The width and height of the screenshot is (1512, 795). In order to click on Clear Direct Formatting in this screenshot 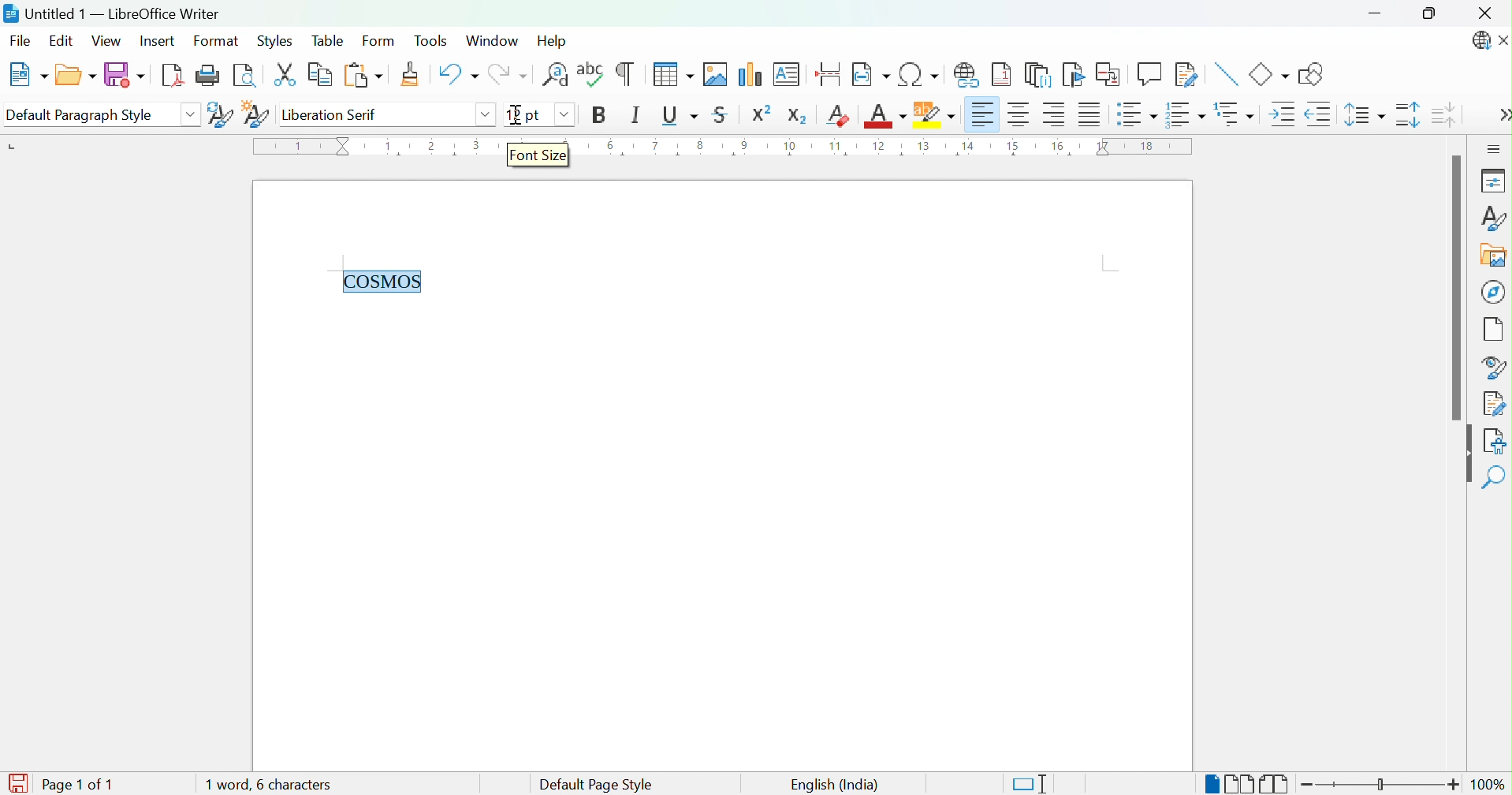, I will do `click(840, 115)`.